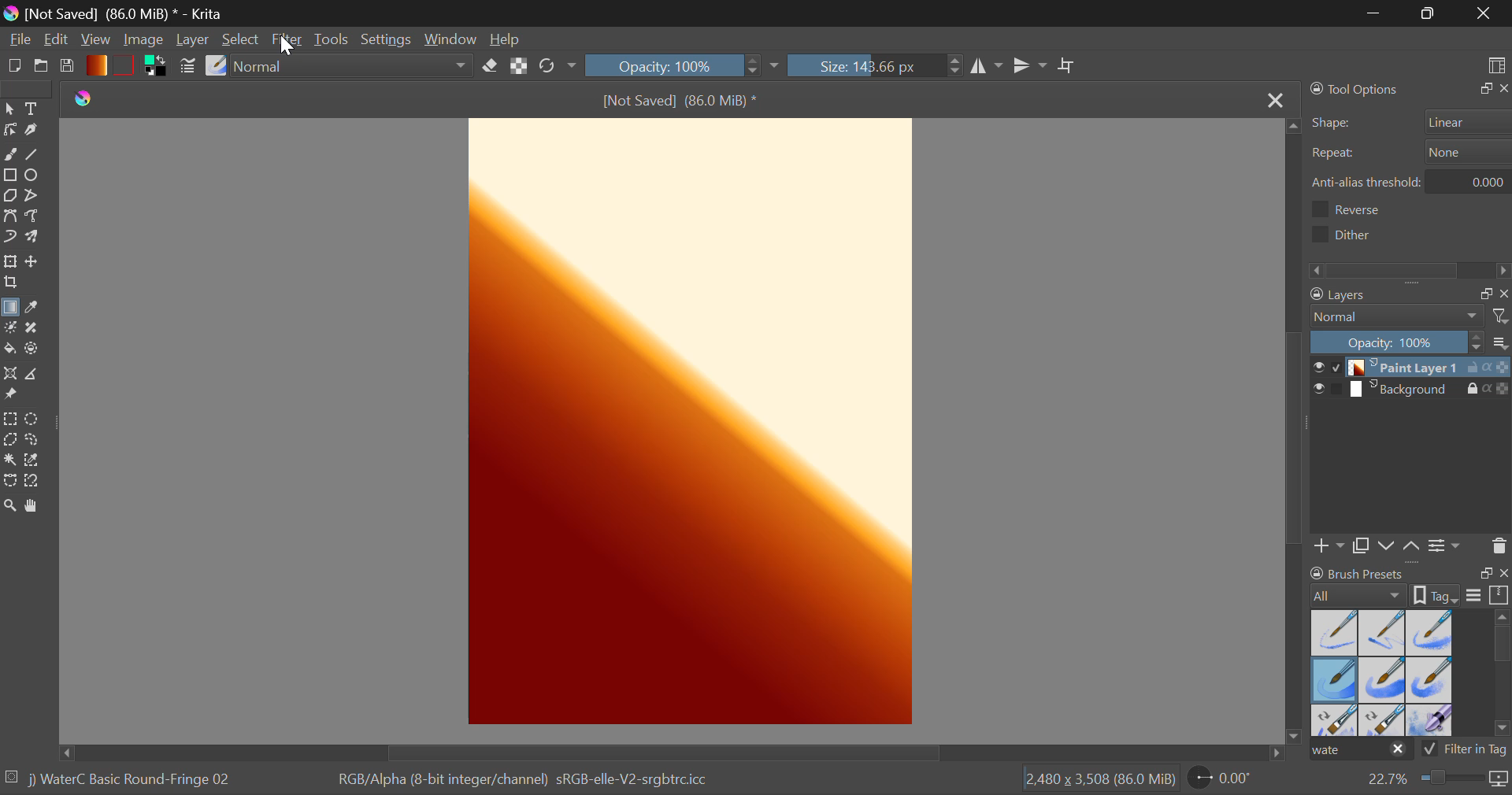 The height and width of the screenshot is (795, 1512). Describe the element at coordinates (159, 67) in the screenshot. I see `Colors in Use` at that location.